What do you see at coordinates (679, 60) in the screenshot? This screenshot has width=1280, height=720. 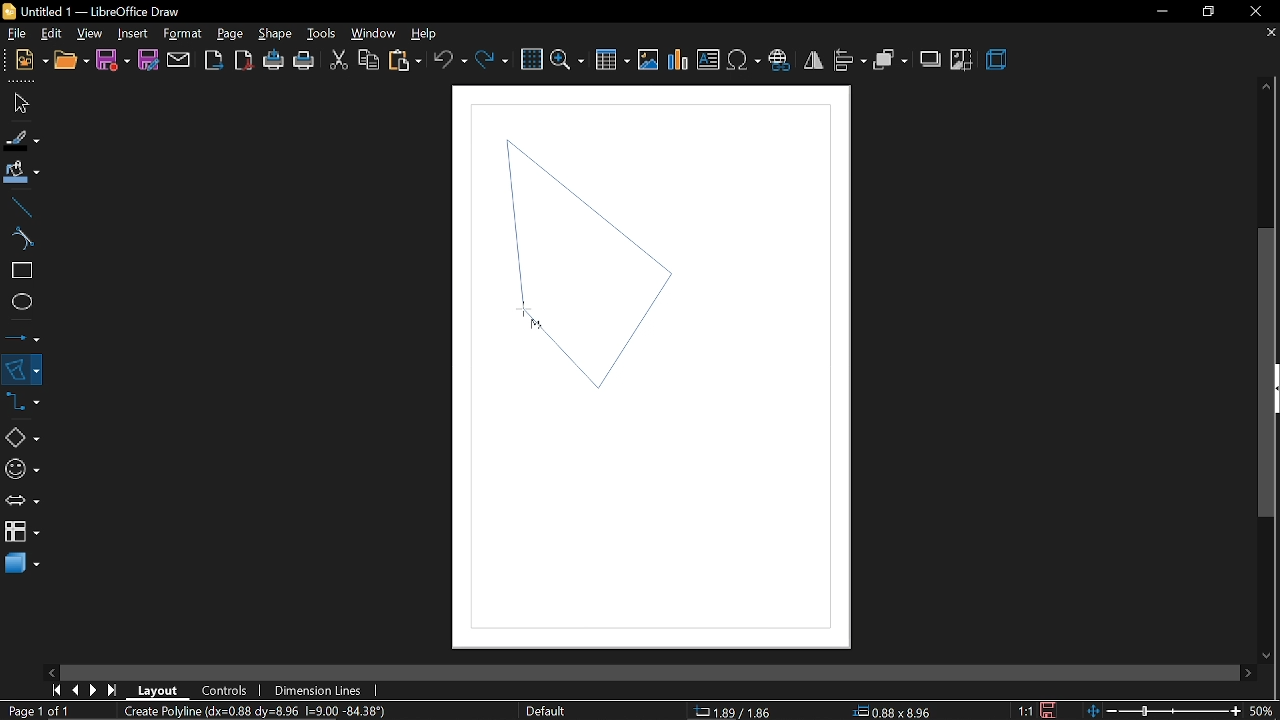 I see `insert chart` at bounding box center [679, 60].